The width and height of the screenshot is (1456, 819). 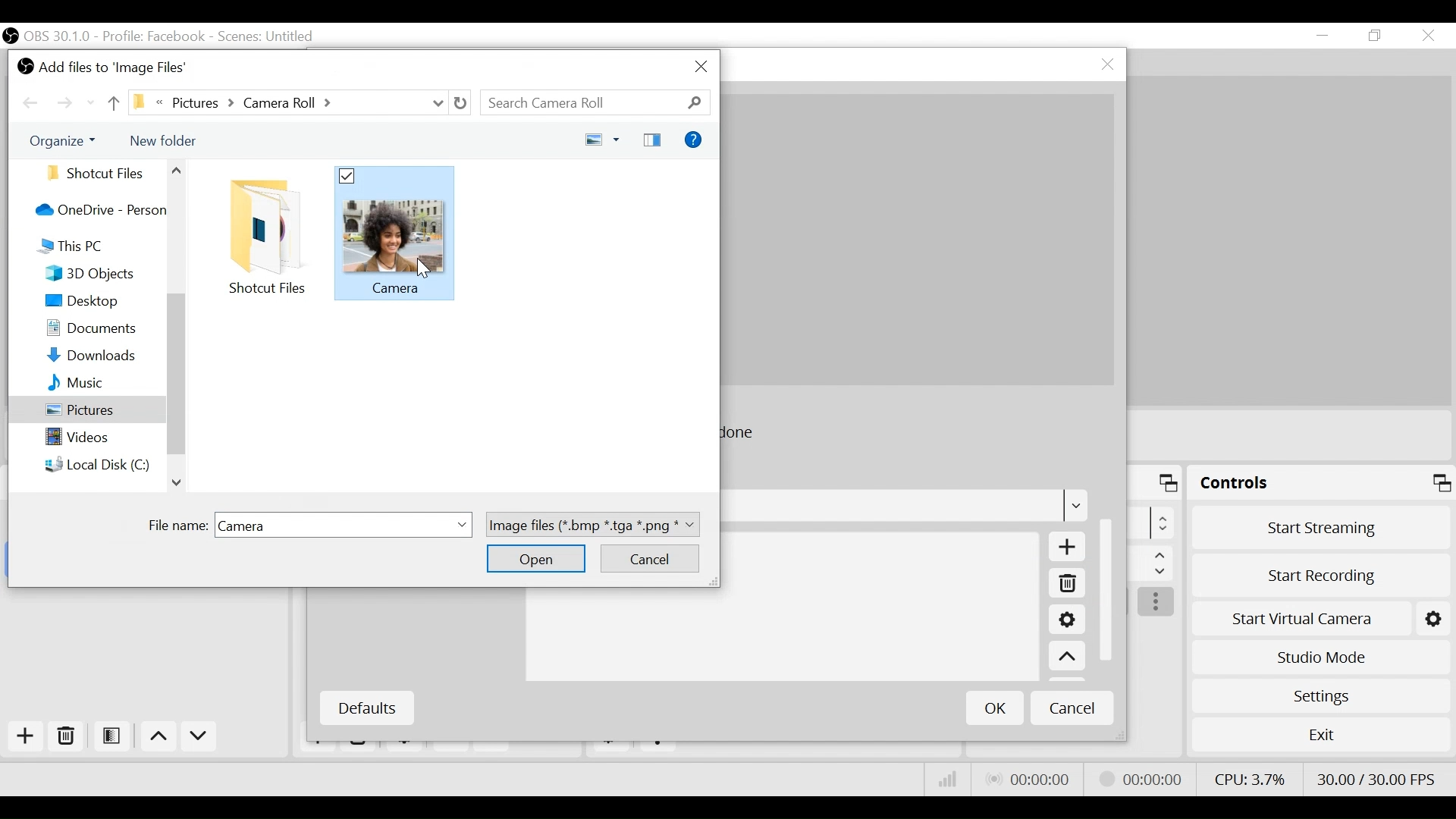 I want to click on Stream Status, so click(x=1141, y=777).